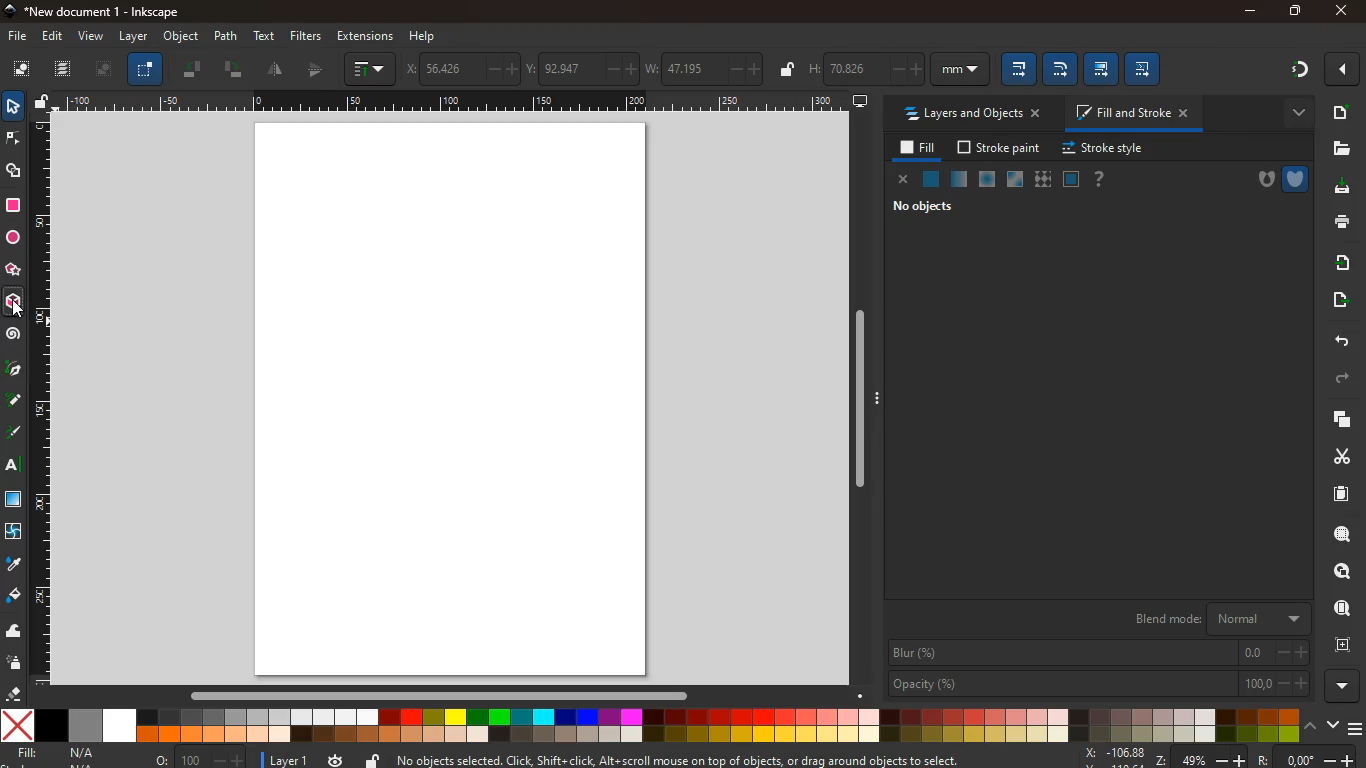 Image resolution: width=1366 pixels, height=768 pixels. What do you see at coordinates (1148, 69) in the screenshot?
I see `edit` at bounding box center [1148, 69].